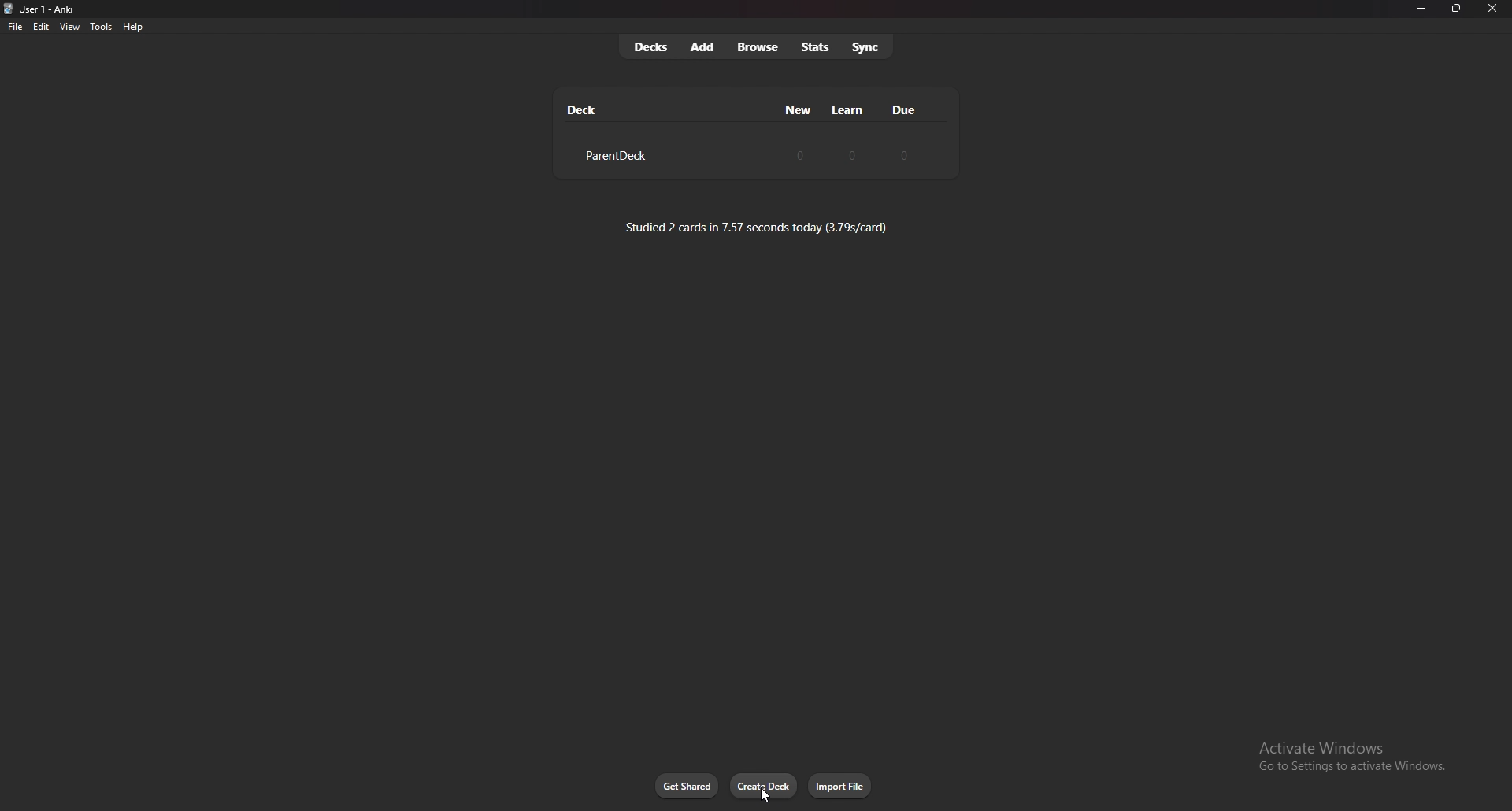  I want to click on minimize, so click(1420, 9).